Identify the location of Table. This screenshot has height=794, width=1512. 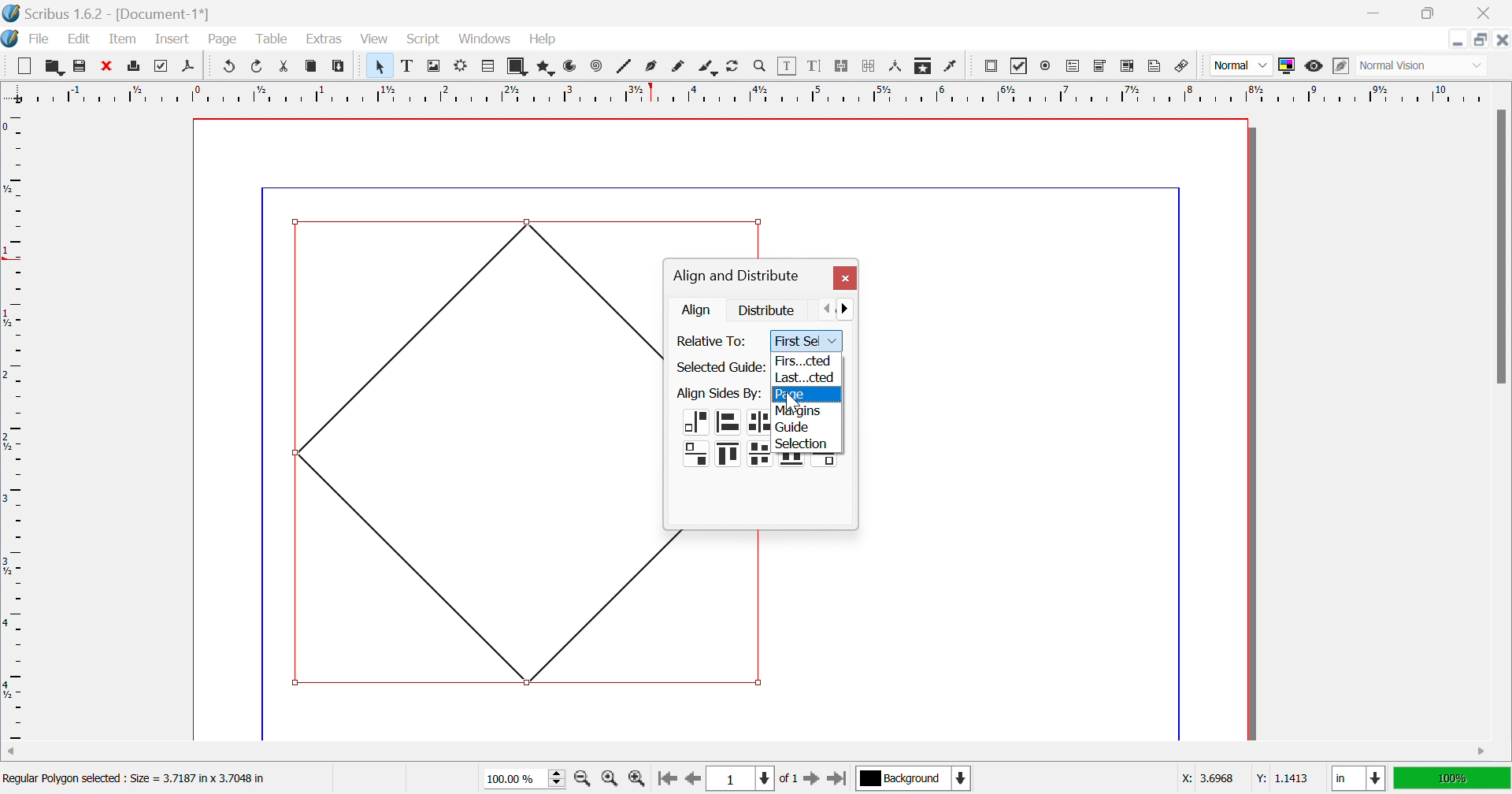
(270, 39).